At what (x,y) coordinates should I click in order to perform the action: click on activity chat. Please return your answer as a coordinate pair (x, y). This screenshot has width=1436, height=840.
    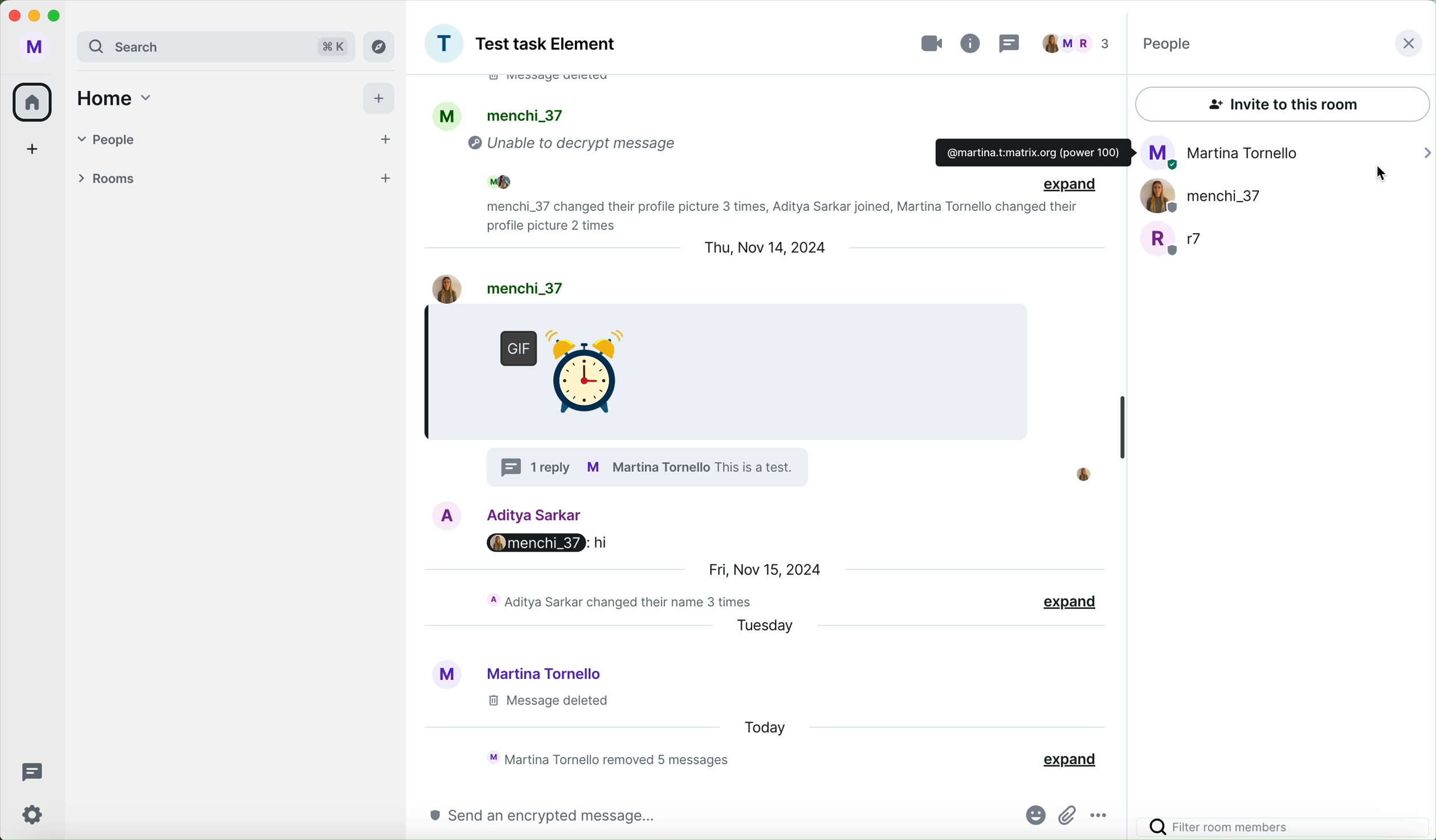
    Looking at the image, I should click on (776, 215).